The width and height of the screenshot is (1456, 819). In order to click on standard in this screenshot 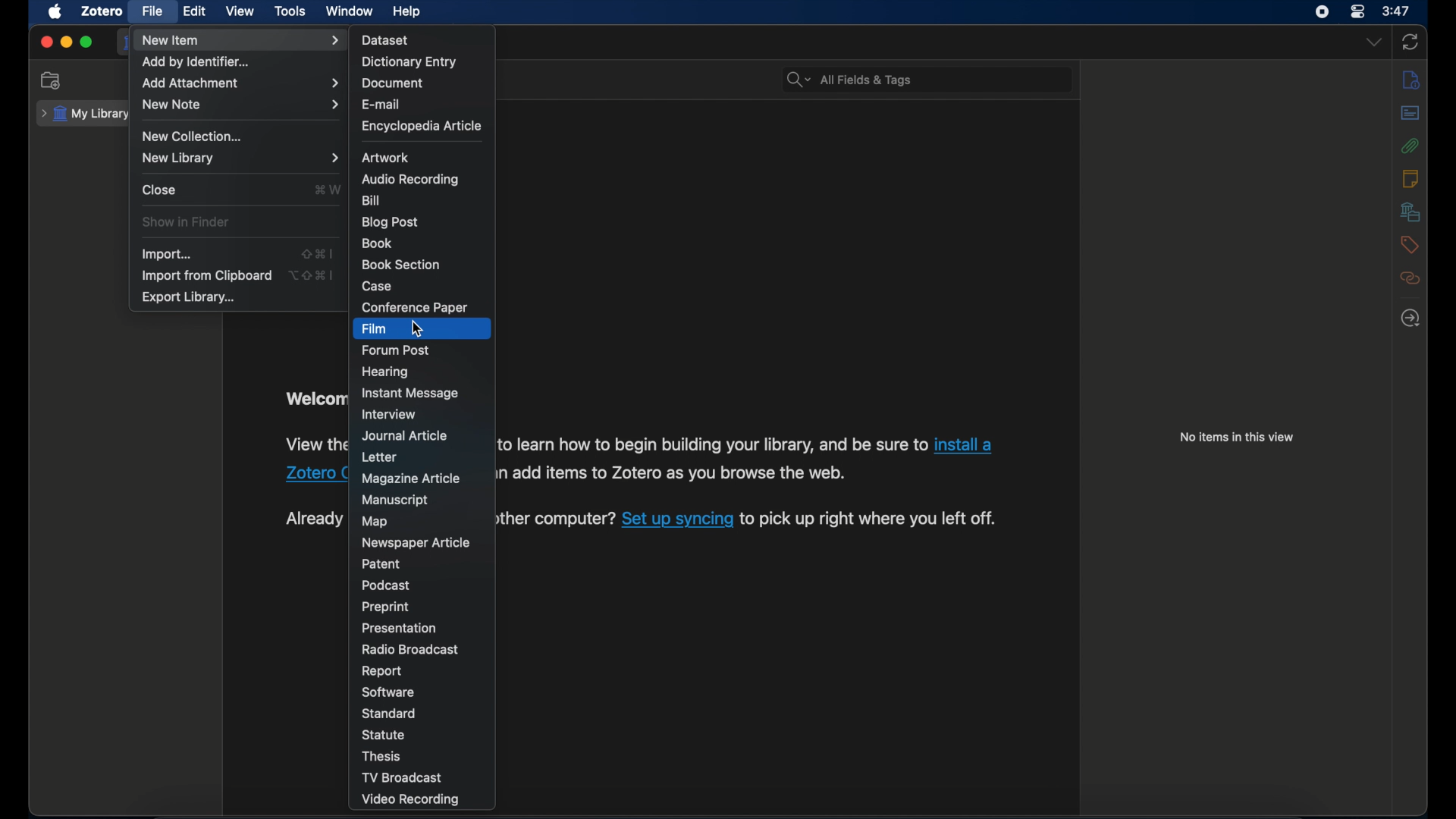, I will do `click(390, 714)`.